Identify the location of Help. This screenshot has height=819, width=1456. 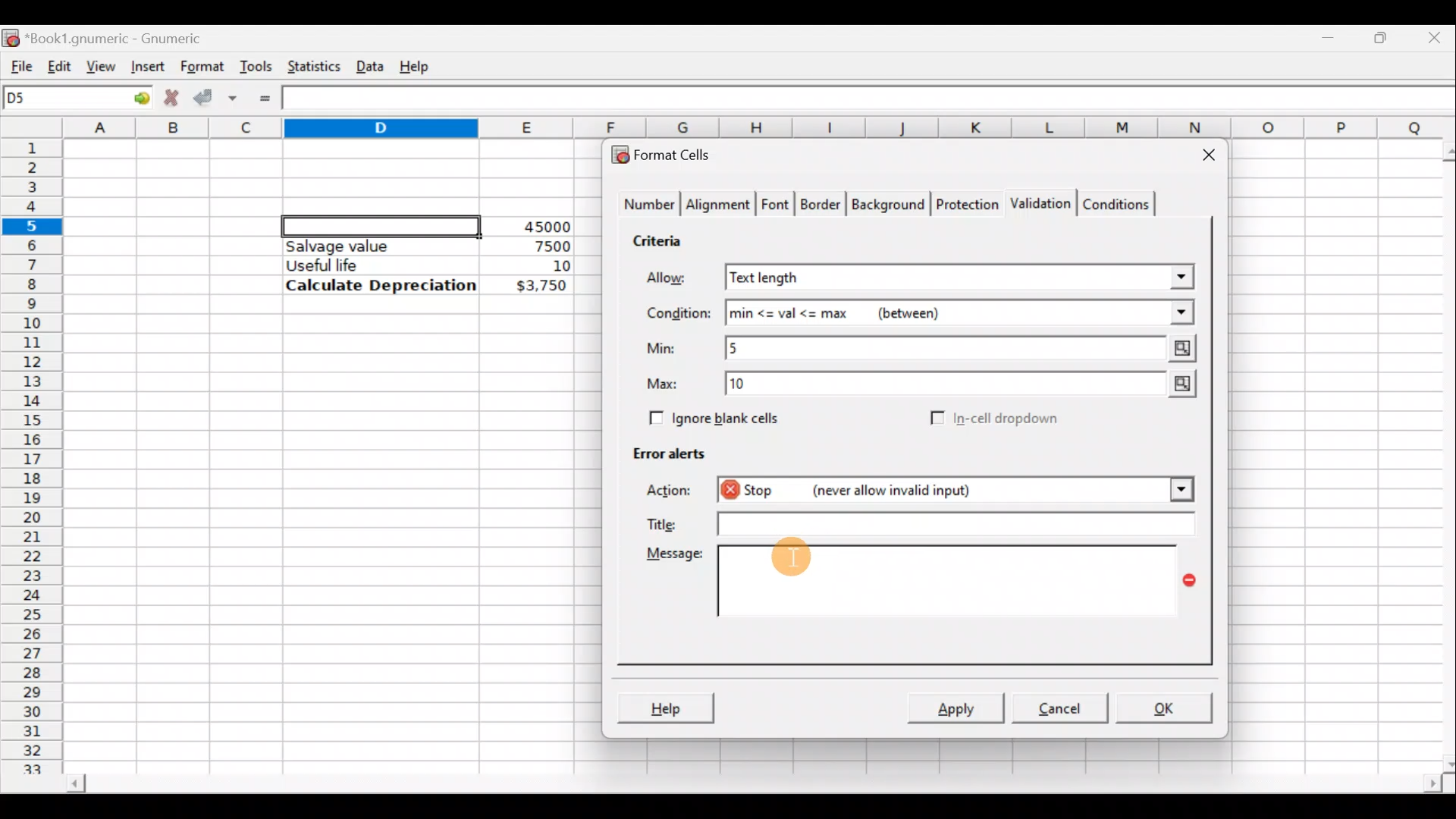
(417, 65).